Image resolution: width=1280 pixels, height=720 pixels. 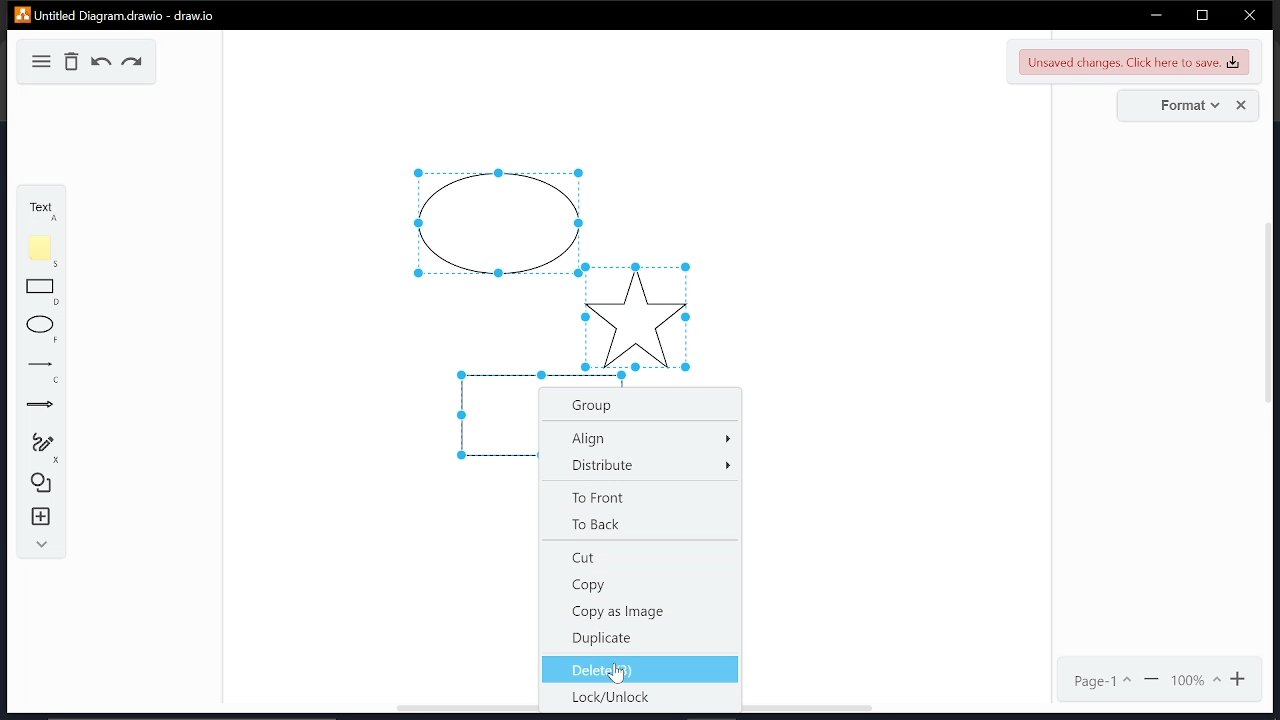 I want to click on Cursor, so click(x=619, y=676).